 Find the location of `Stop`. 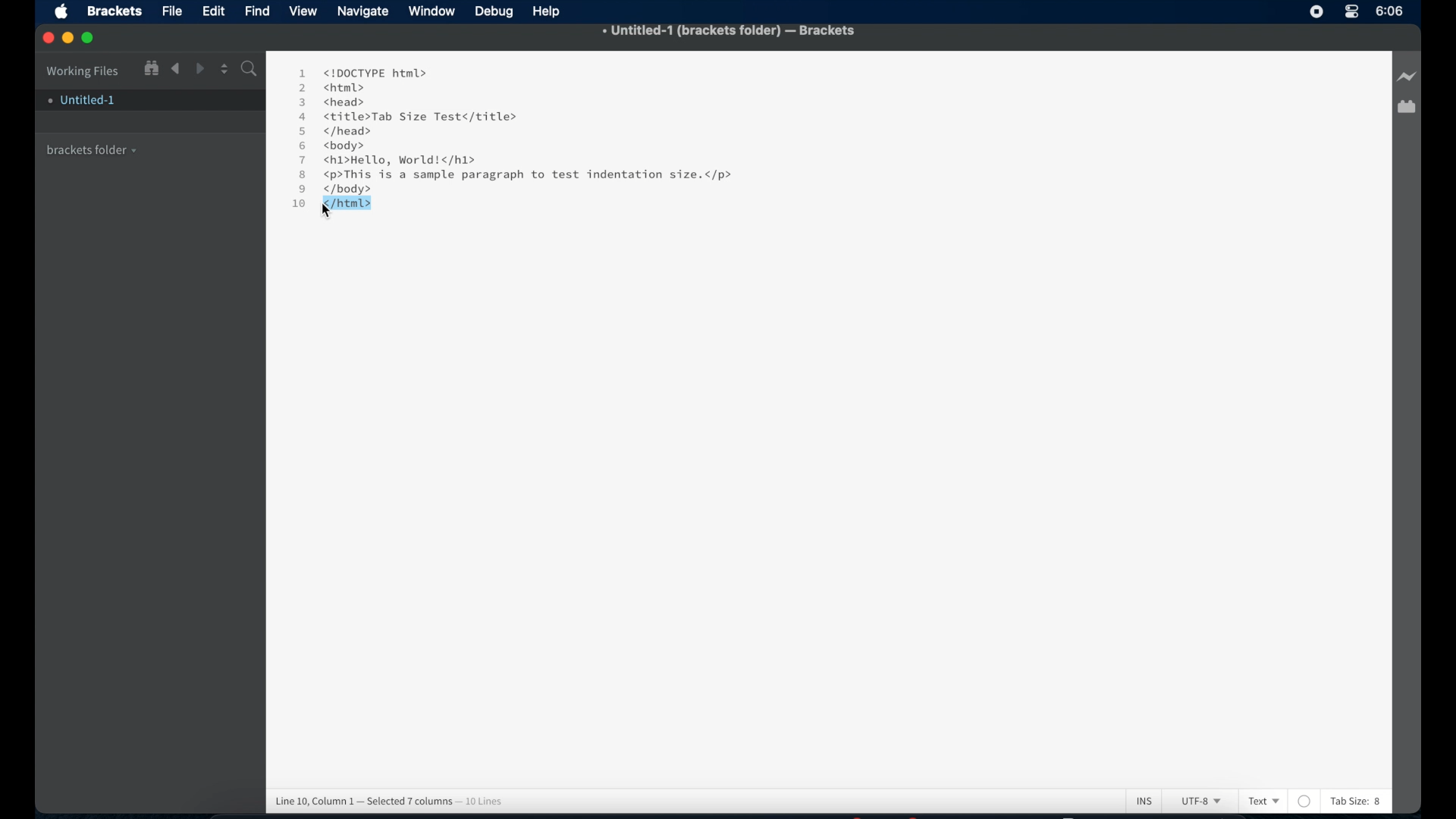

Stop is located at coordinates (1316, 11).